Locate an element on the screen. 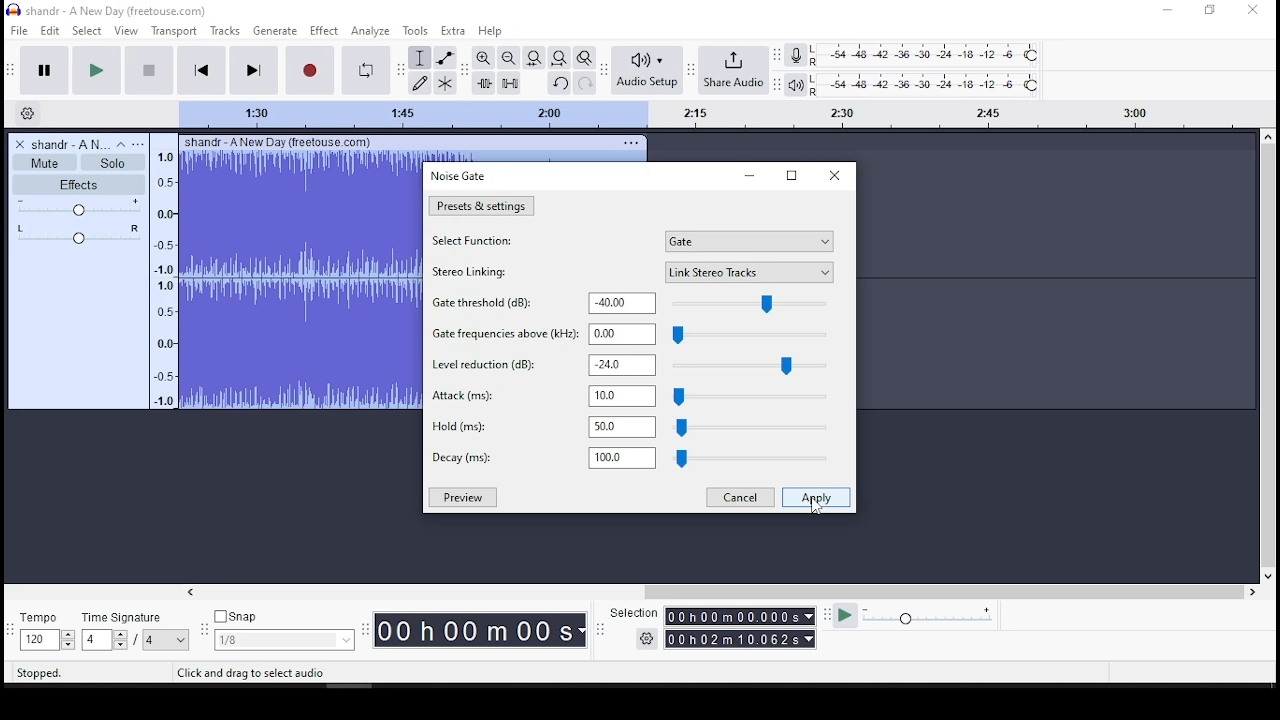 The width and height of the screenshot is (1280, 720). apply is located at coordinates (816, 497).